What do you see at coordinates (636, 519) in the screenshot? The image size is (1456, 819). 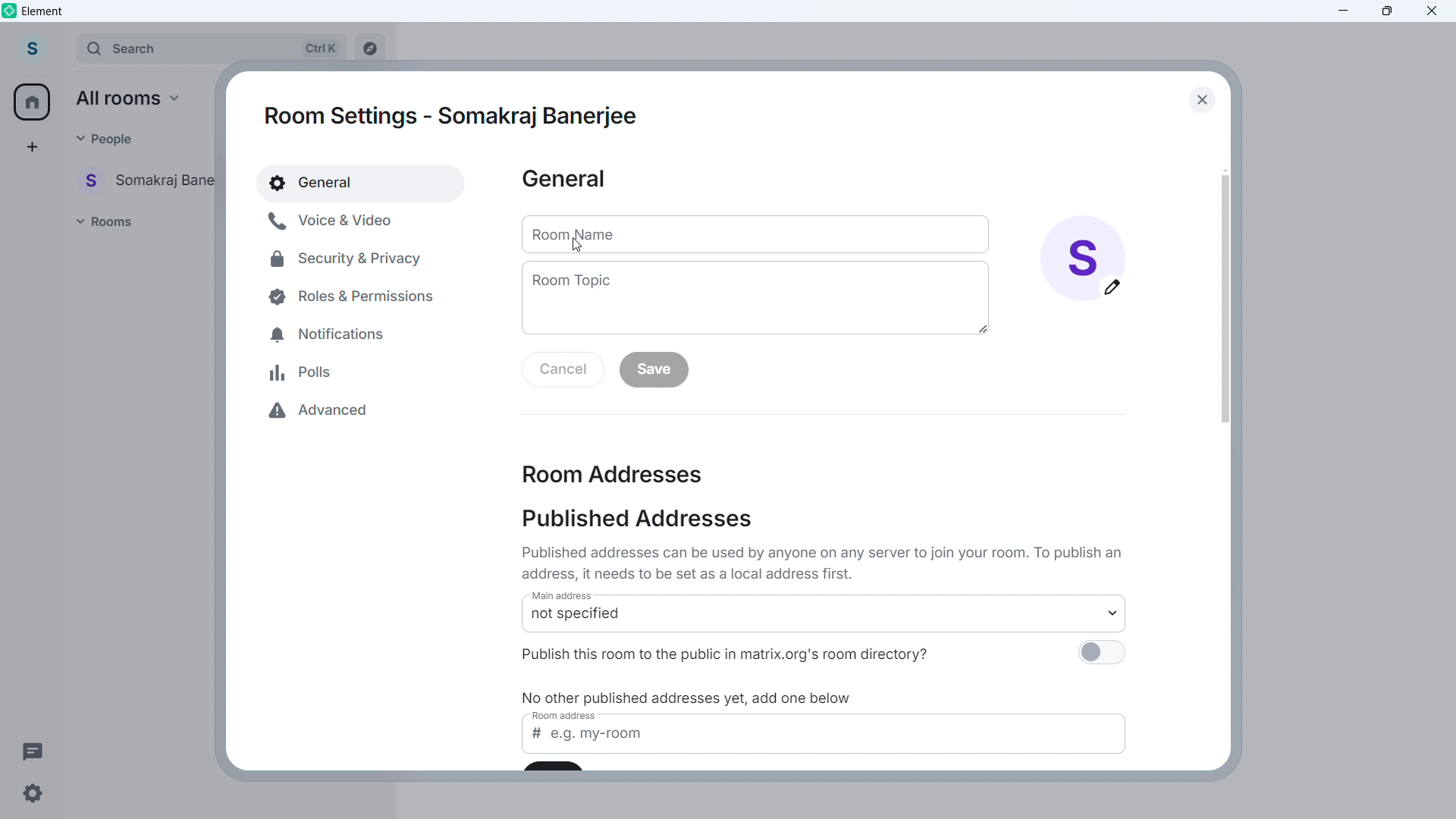 I see `Published addresses ` at bounding box center [636, 519].